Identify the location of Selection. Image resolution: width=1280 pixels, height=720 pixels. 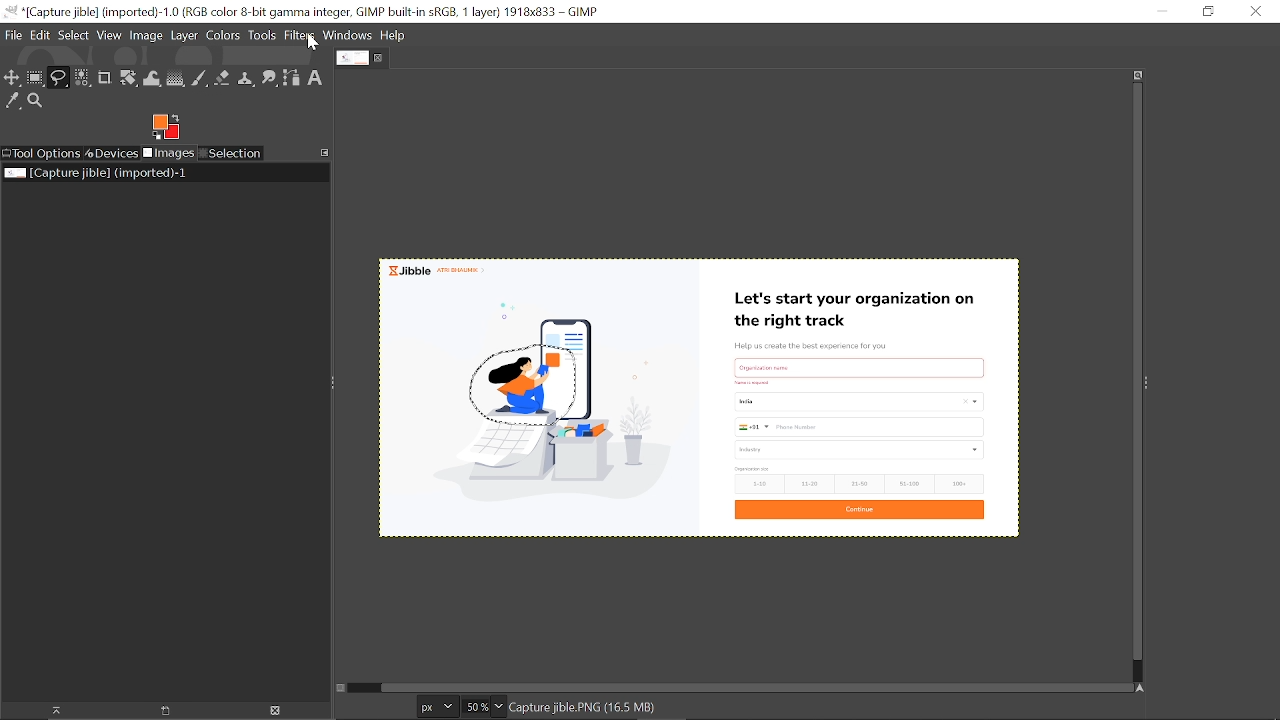
(230, 154).